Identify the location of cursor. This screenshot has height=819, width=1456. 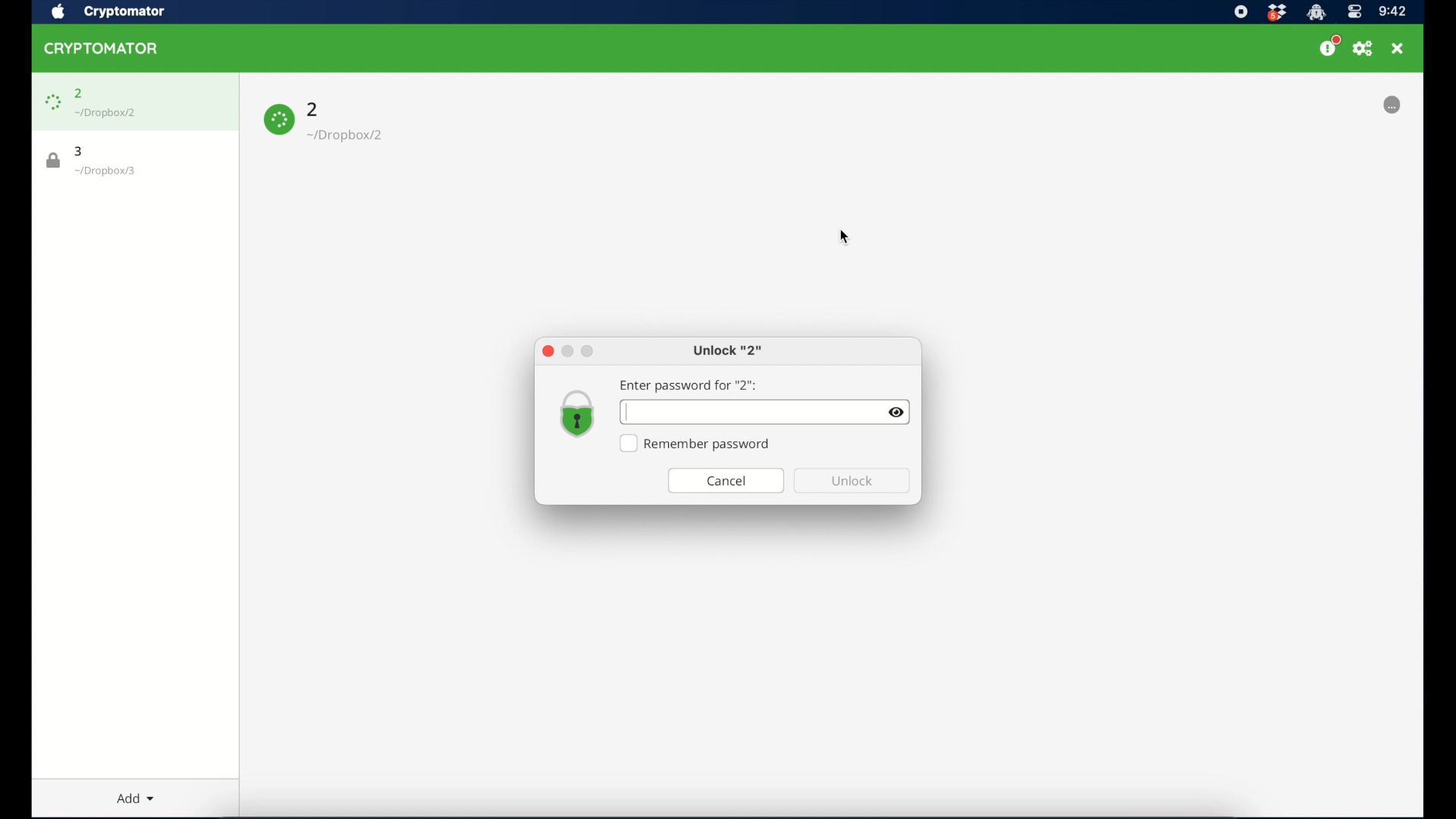
(842, 237).